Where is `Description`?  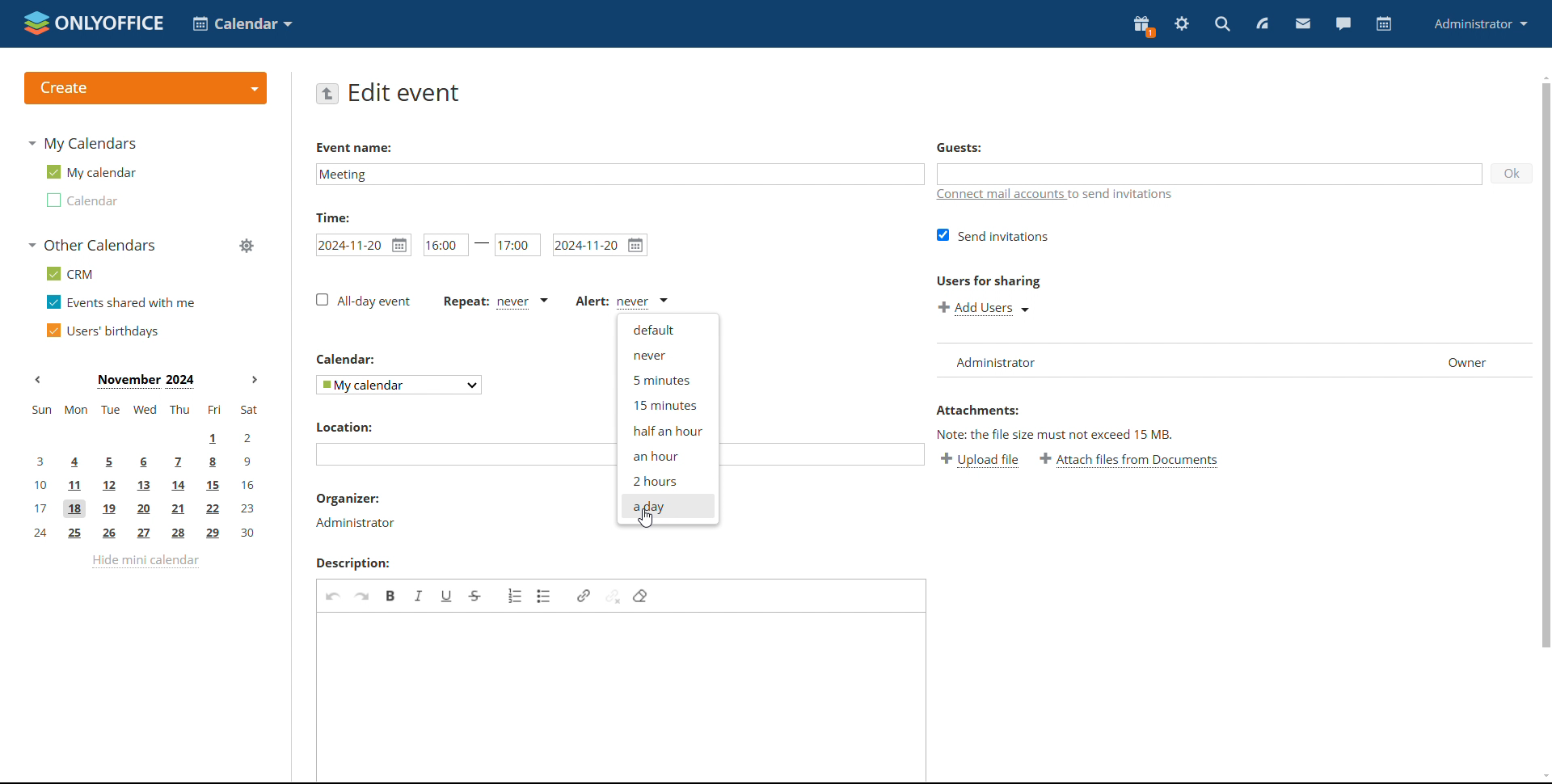 Description is located at coordinates (352, 563).